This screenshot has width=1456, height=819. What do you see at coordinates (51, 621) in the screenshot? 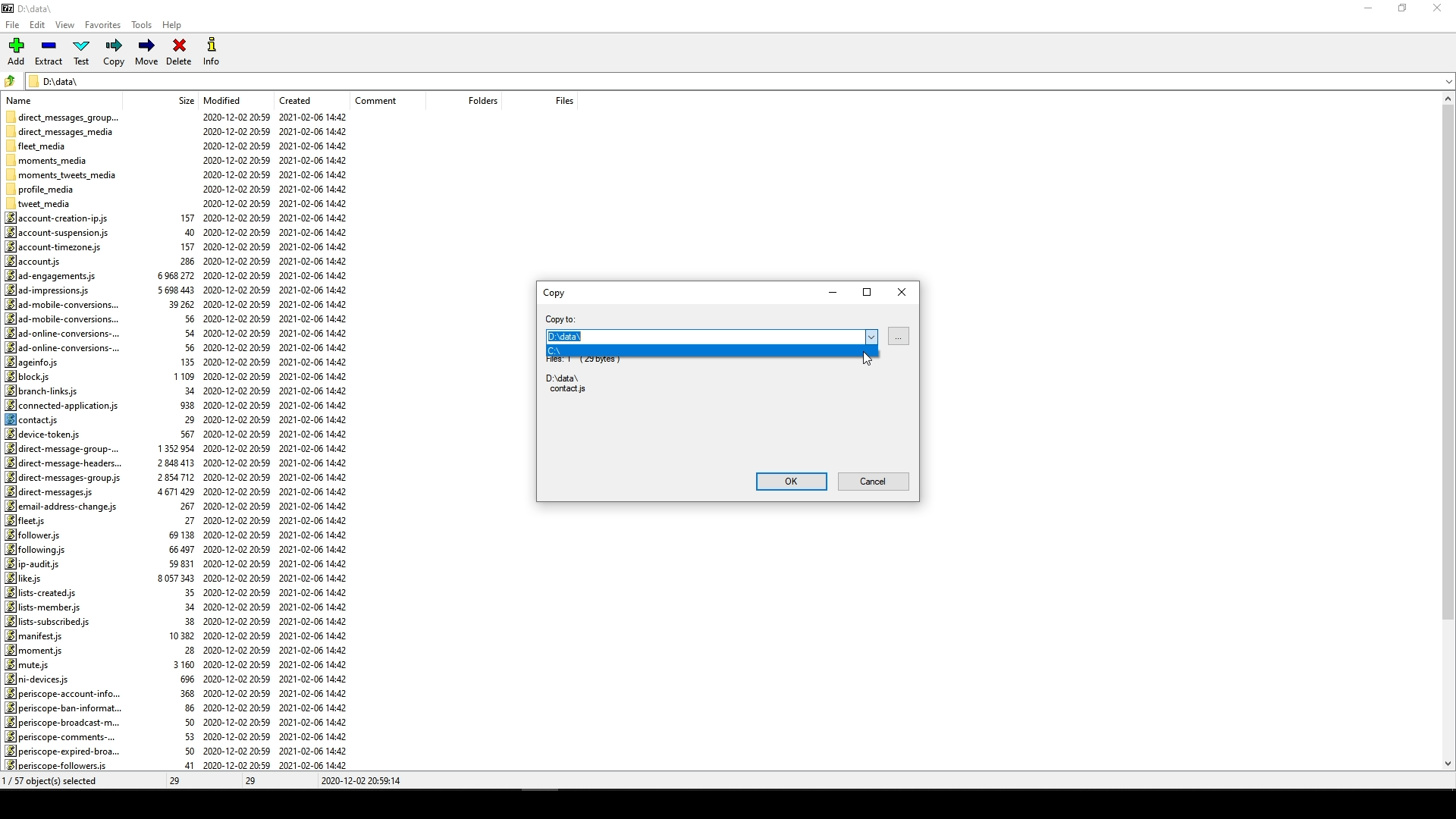
I see `lists-subscribed.js` at bounding box center [51, 621].